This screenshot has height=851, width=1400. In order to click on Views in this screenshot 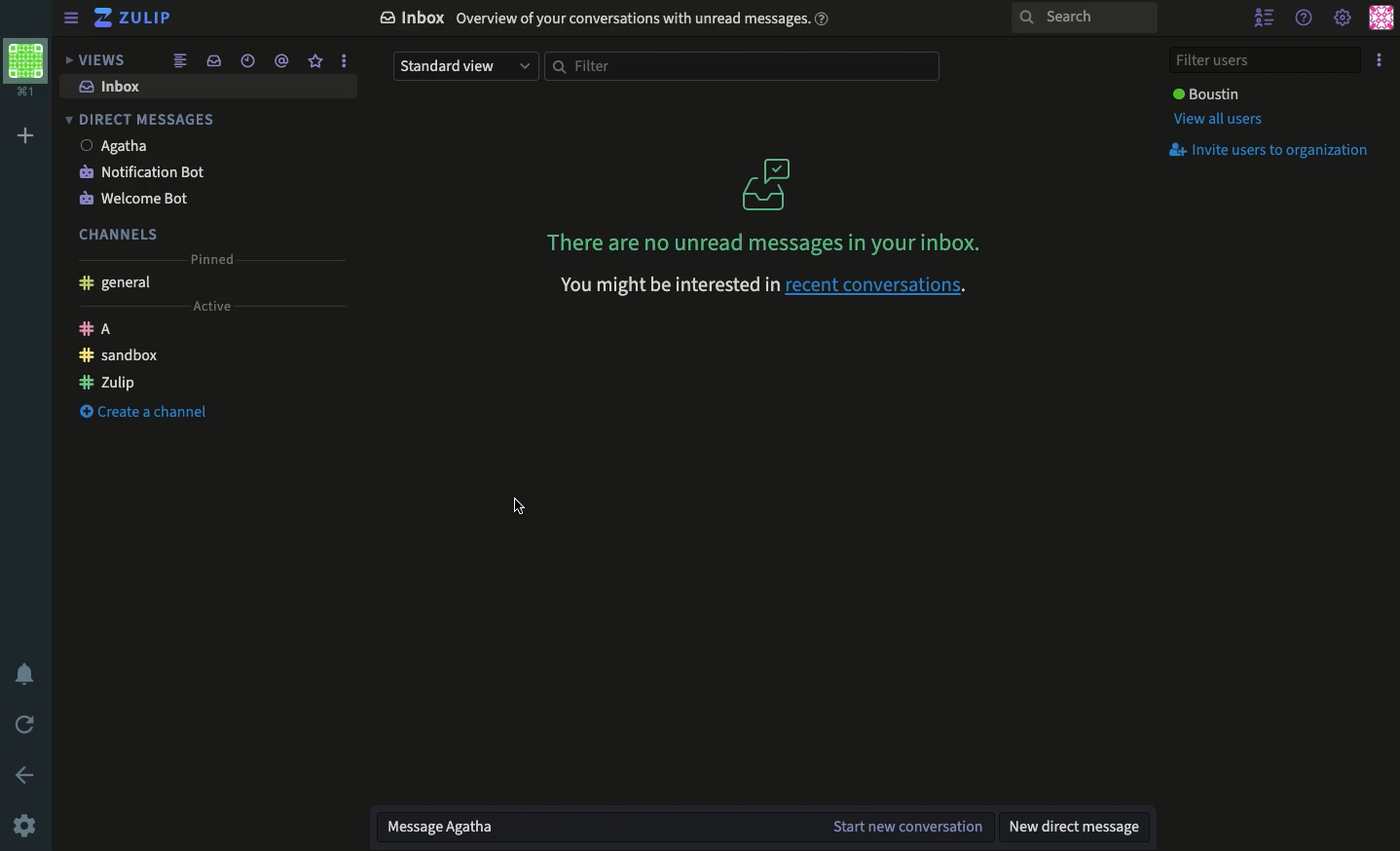, I will do `click(94, 59)`.